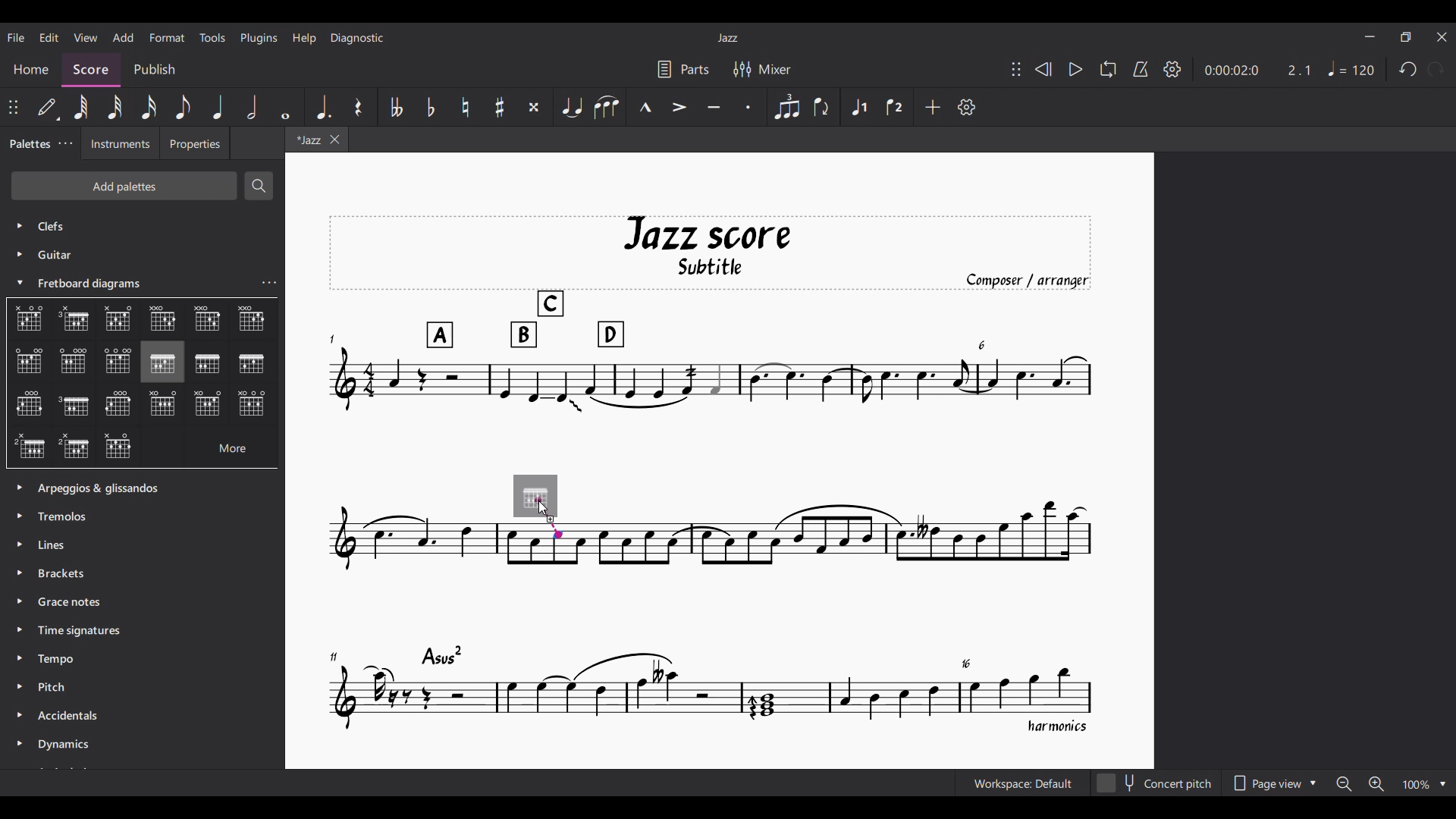 The width and height of the screenshot is (1456, 819). Describe the element at coordinates (212, 37) in the screenshot. I see `Tools menu` at that location.